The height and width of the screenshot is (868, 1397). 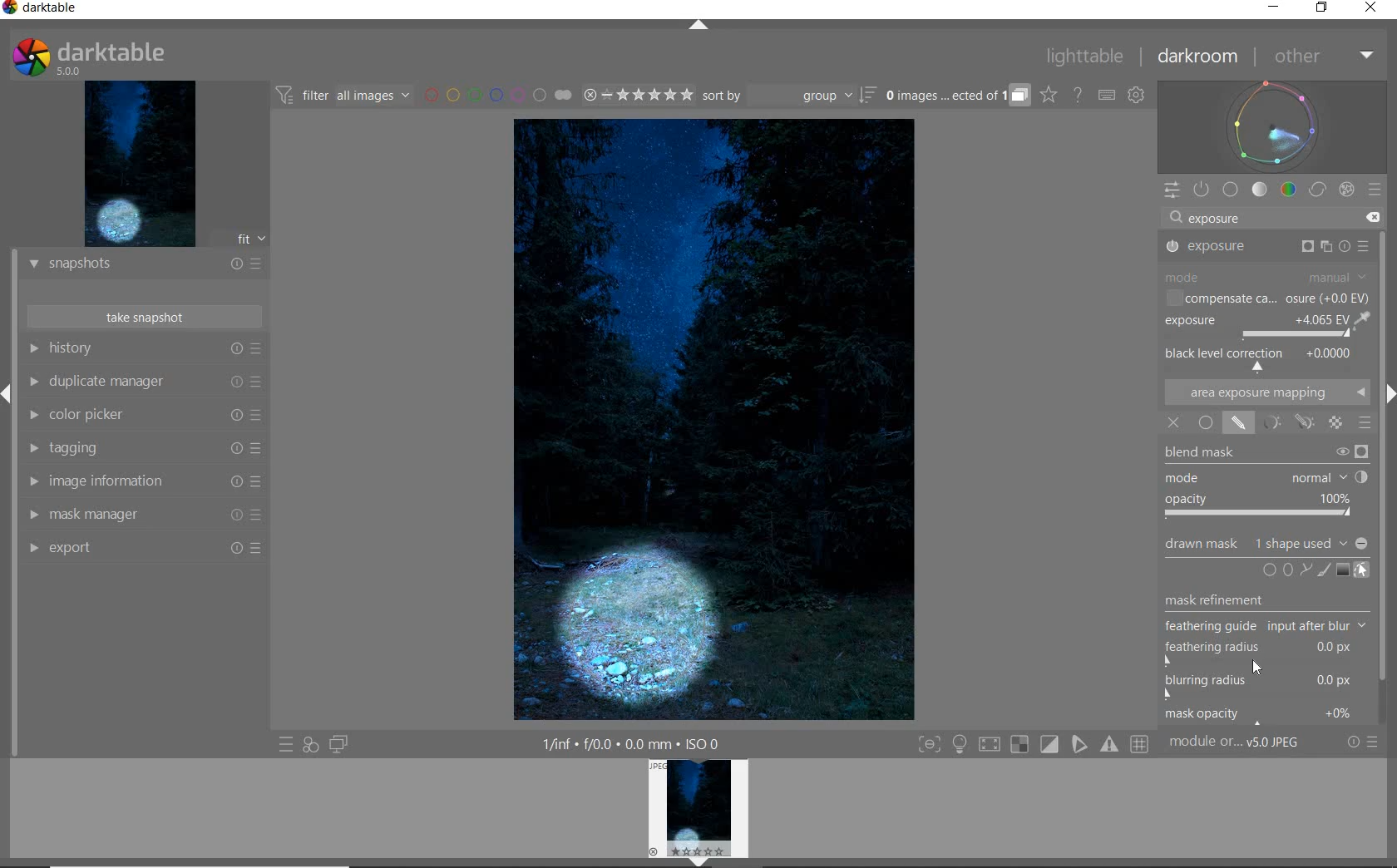 What do you see at coordinates (1324, 569) in the screenshot?
I see `ADD BRUSH` at bounding box center [1324, 569].